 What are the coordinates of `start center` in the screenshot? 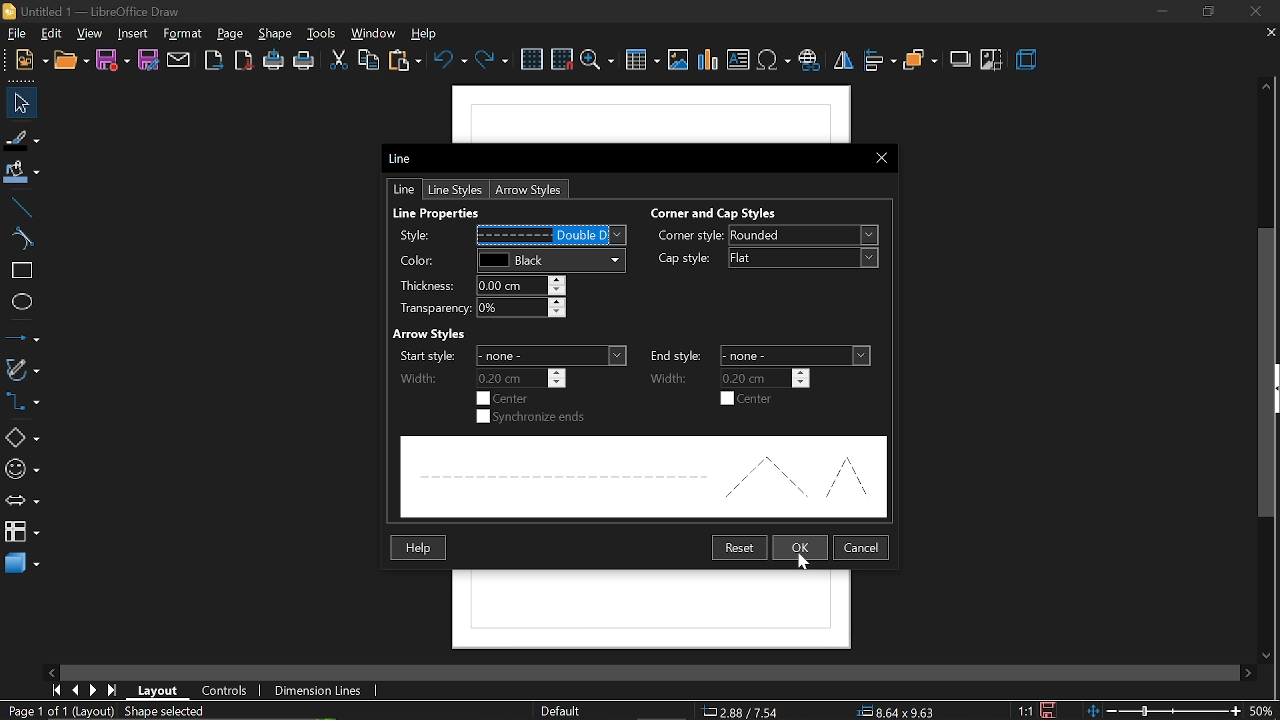 It's located at (503, 399).